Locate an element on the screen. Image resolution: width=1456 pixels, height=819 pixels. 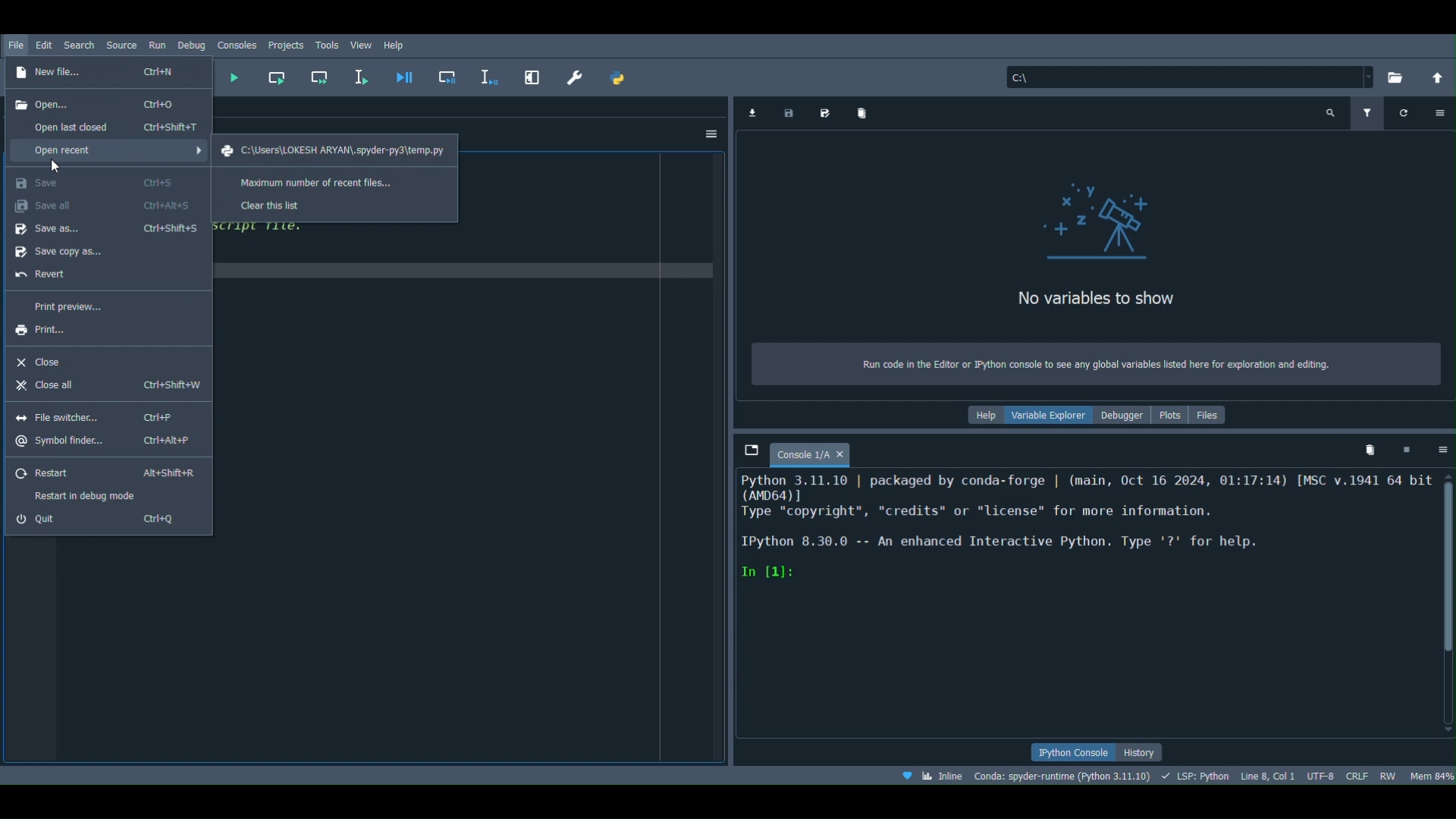
Clear the list is located at coordinates (272, 205).